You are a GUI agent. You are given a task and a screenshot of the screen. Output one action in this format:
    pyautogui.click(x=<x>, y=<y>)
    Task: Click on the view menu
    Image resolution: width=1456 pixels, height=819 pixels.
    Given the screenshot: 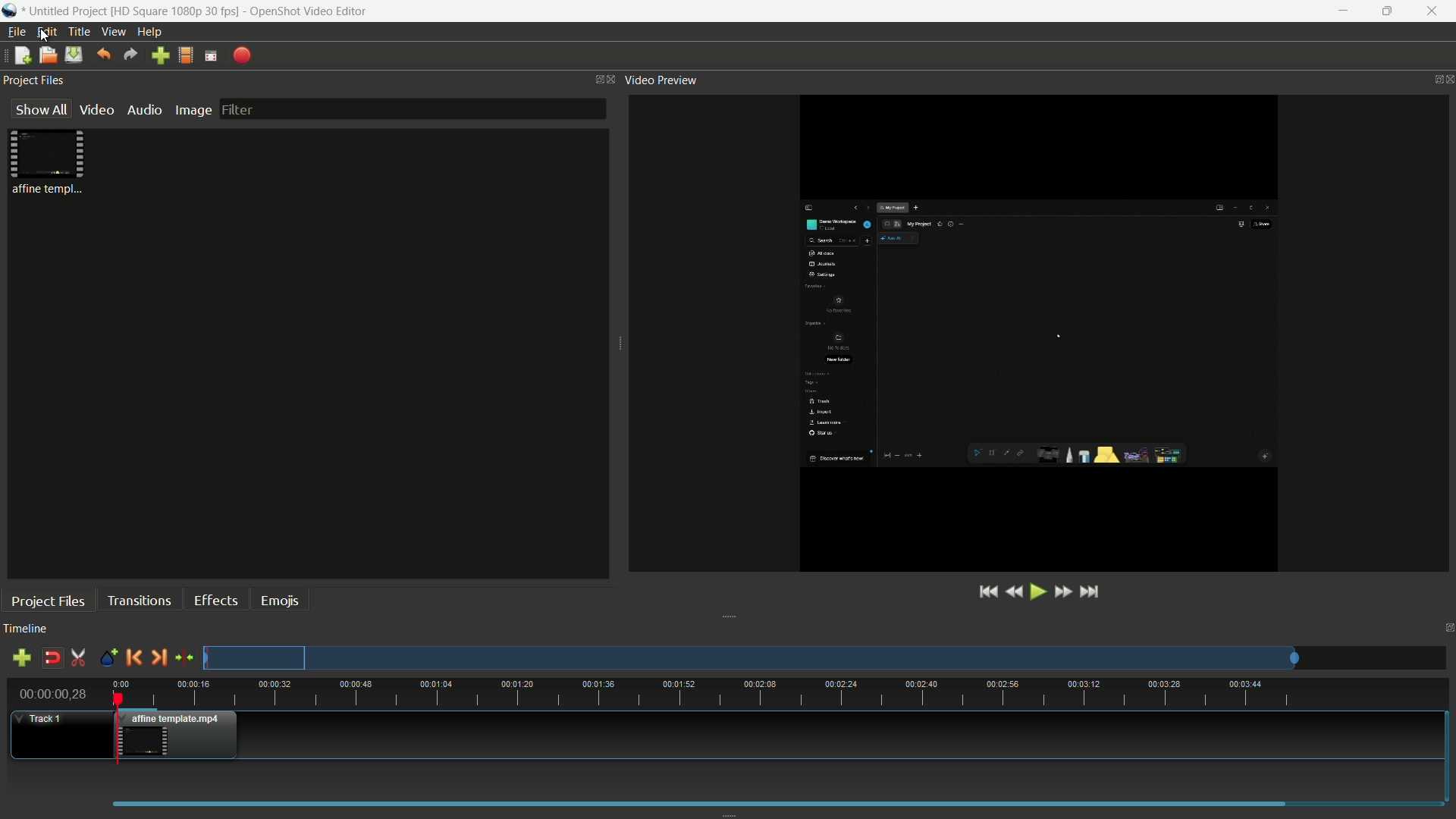 What is the action you would take?
    pyautogui.click(x=114, y=32)
    